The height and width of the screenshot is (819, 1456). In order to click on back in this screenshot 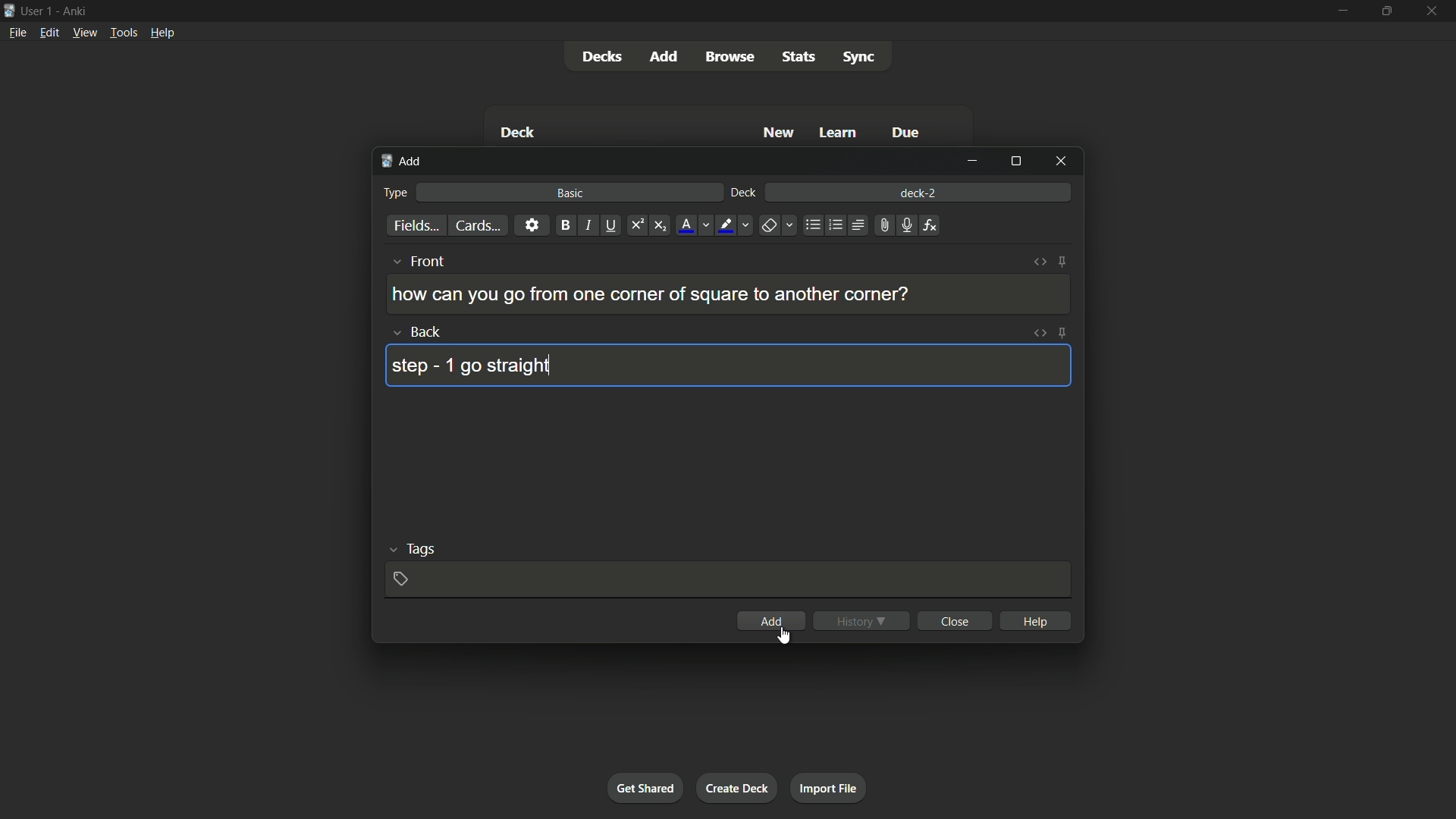, I will do `click(418, 329)`.